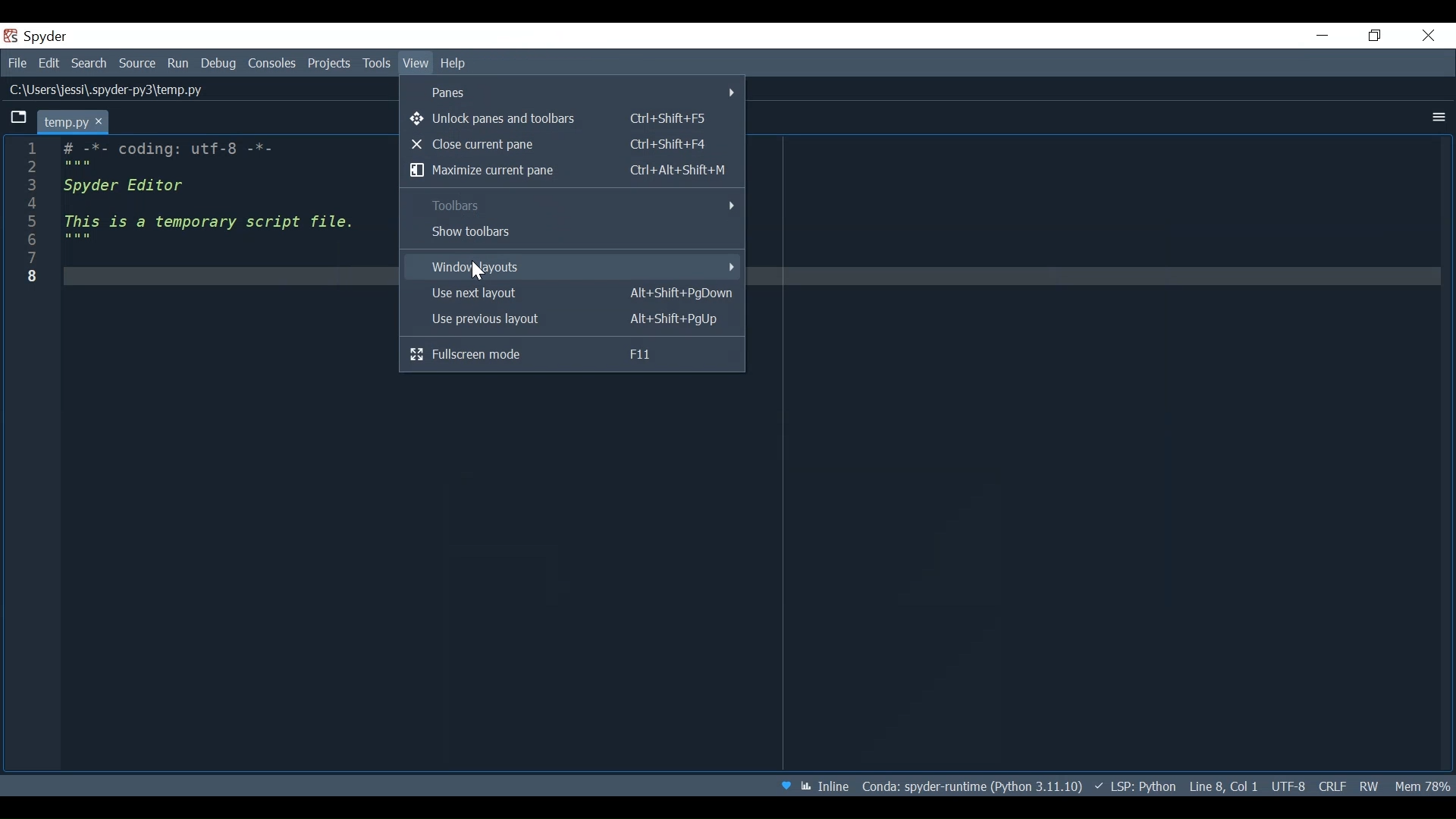  Describe the element at coordinates (1434, 117) in the screenshot. I see `More Options` at that location.